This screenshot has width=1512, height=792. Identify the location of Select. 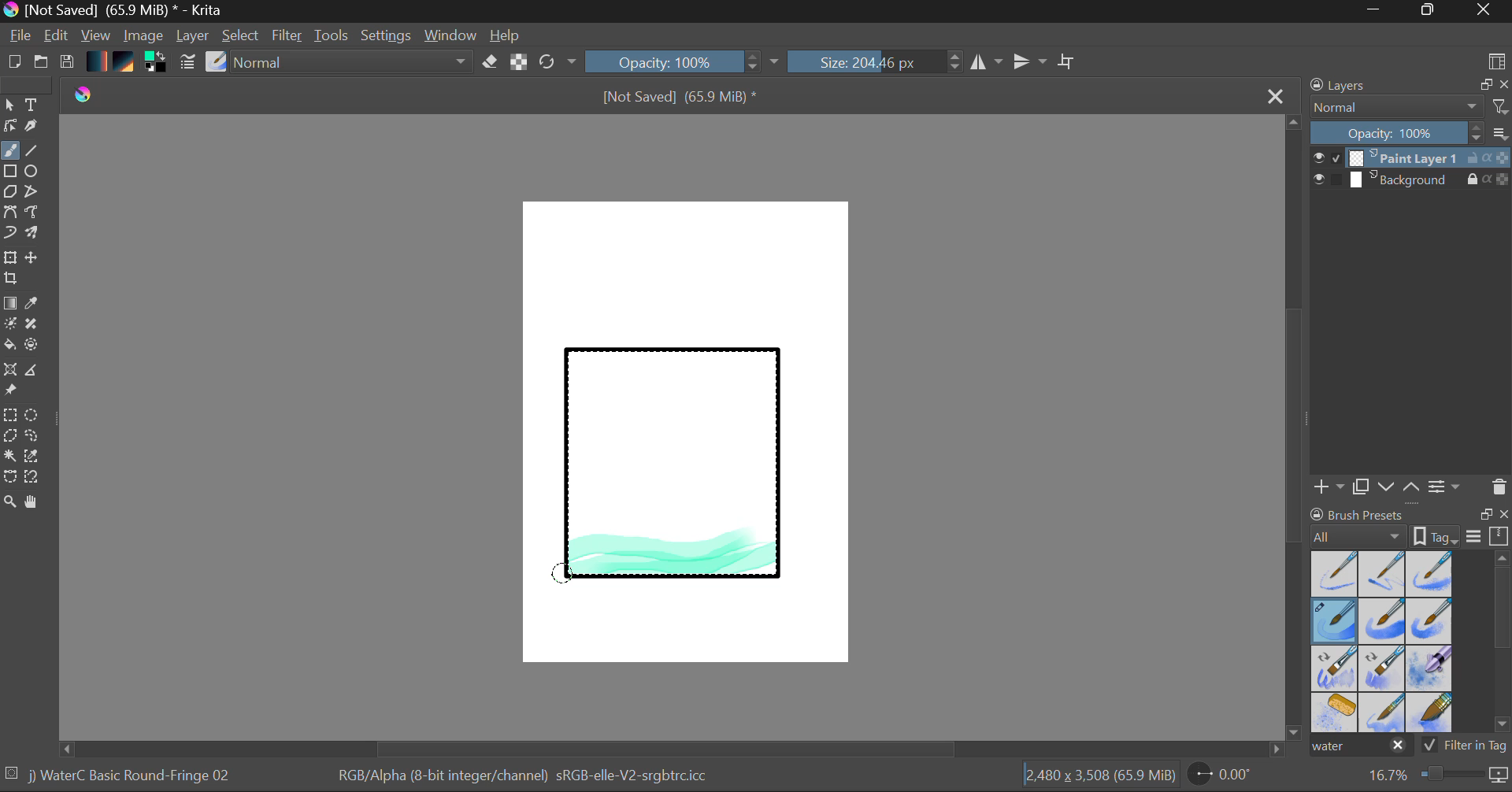
(242, 36).